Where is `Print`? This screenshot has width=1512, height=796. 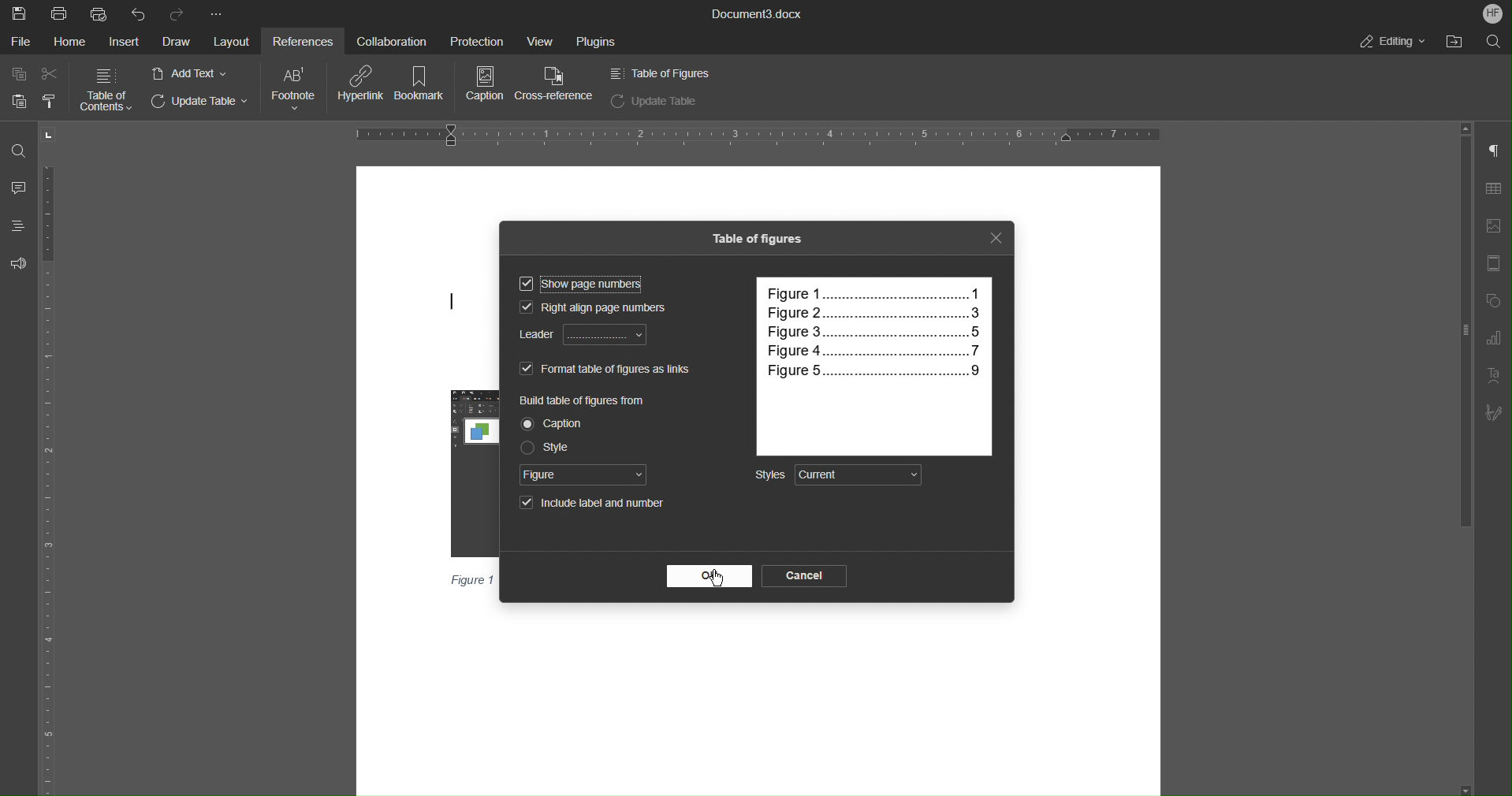
Print is located at coordinates (60, 13).